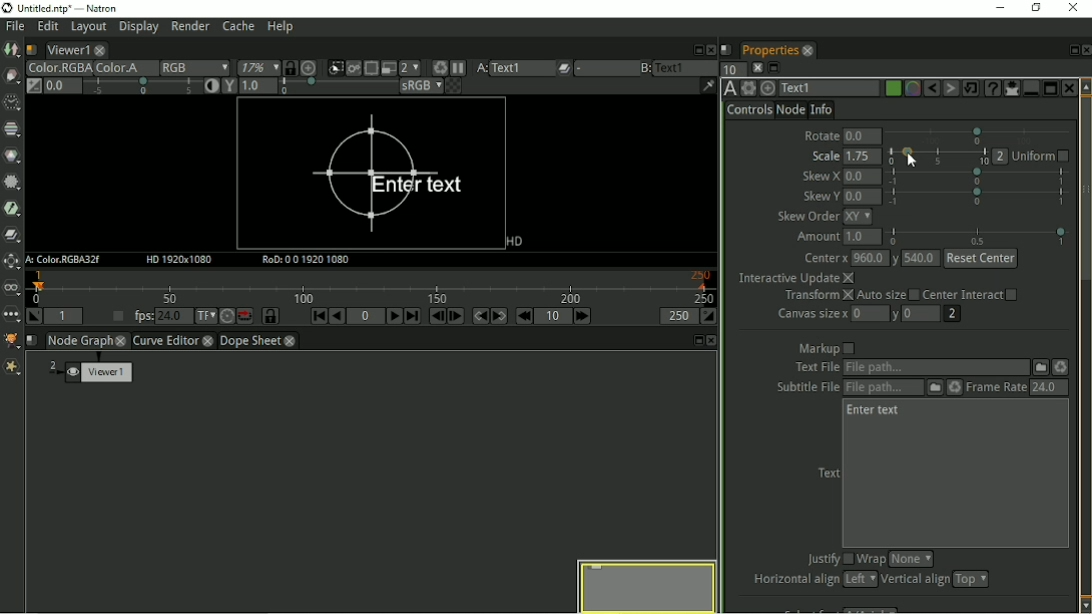 Image resolution: width=1092 pixels, height=614 pixels. What do you see at coordinates (814, 88) in the screenshot?
I see `Text` at bounding box center [814, 88].